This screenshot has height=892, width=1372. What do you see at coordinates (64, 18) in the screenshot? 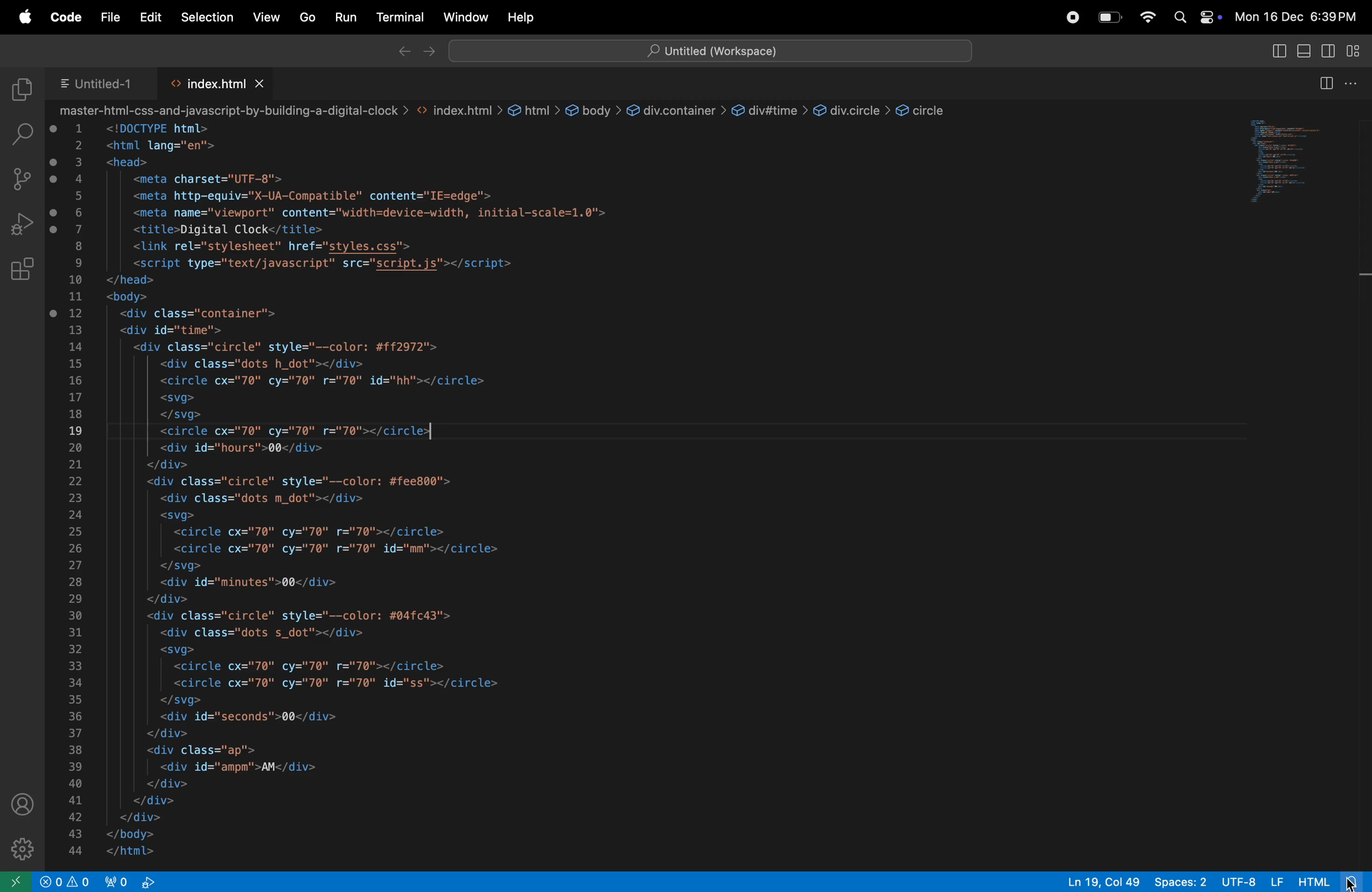
I see `code` at bounding box center [64, 18].